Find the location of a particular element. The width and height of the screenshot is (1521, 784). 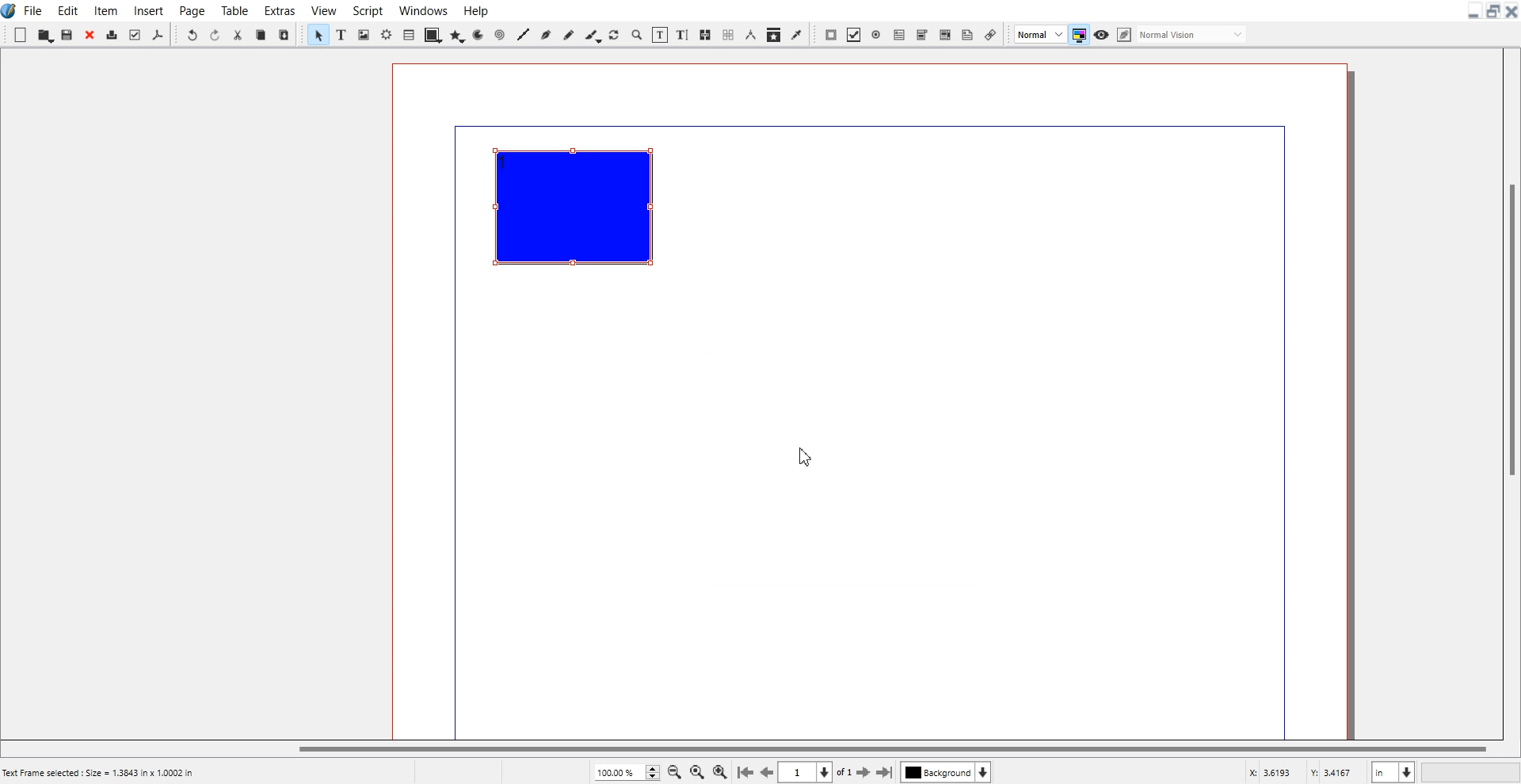

Paste is located at coordinates (284, 34).